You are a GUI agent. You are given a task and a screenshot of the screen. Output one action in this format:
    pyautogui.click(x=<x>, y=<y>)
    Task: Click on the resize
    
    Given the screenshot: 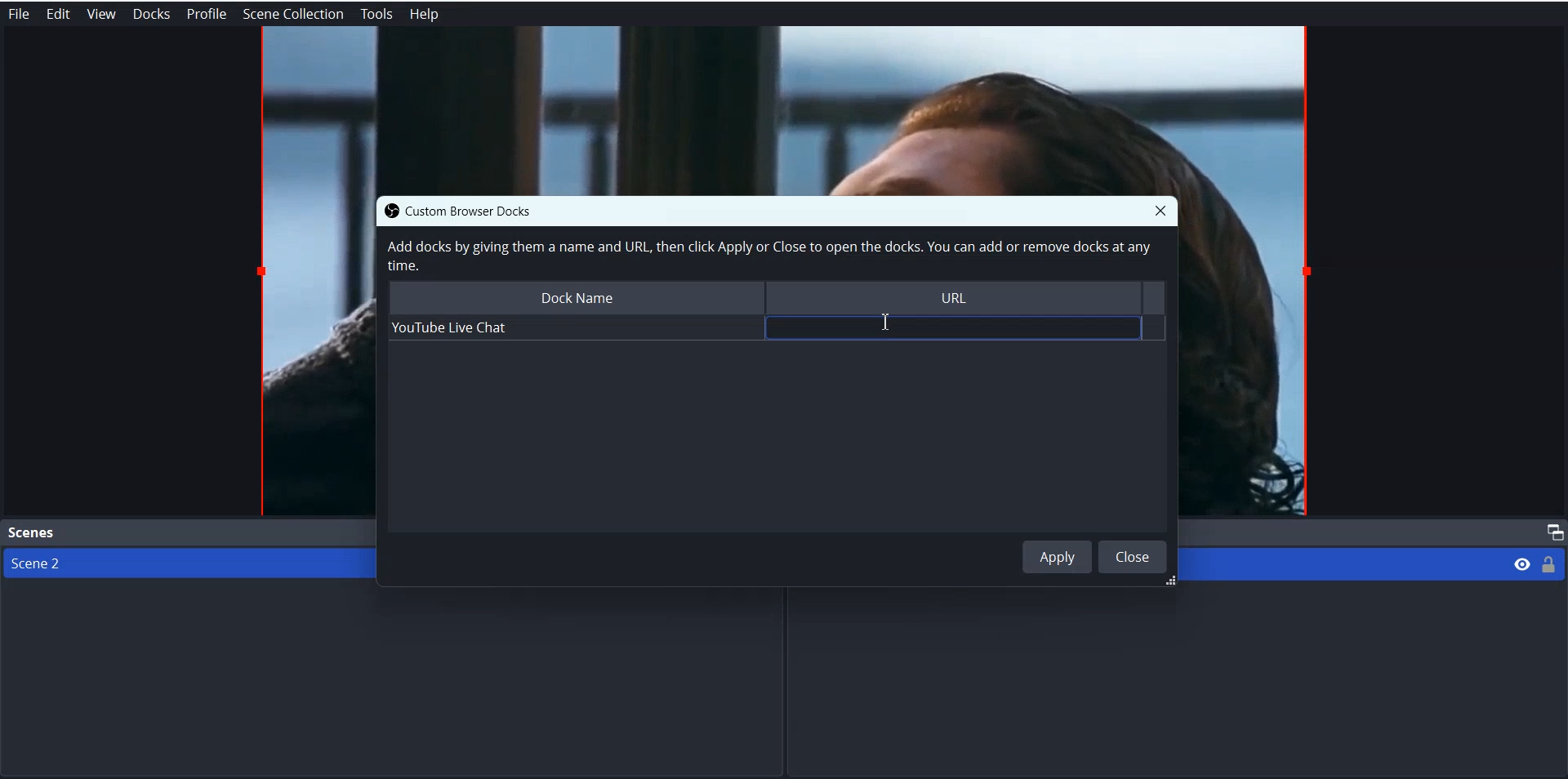 What is the action you would take?
    pyautogui.click(x=1167, y=582)
    